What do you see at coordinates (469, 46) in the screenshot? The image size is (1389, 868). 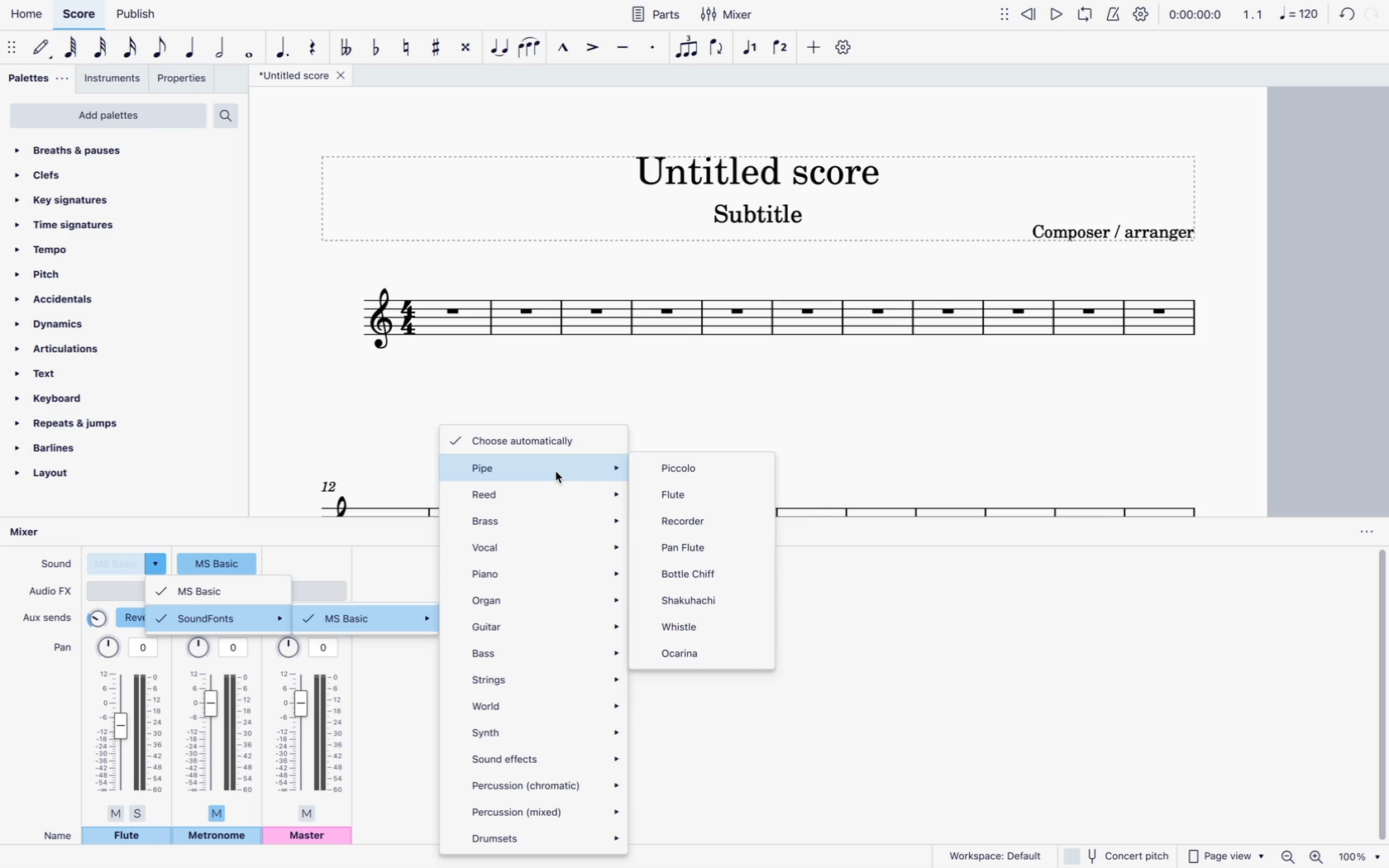 I see `toggle double sharp` at bounding box center [469, 46].